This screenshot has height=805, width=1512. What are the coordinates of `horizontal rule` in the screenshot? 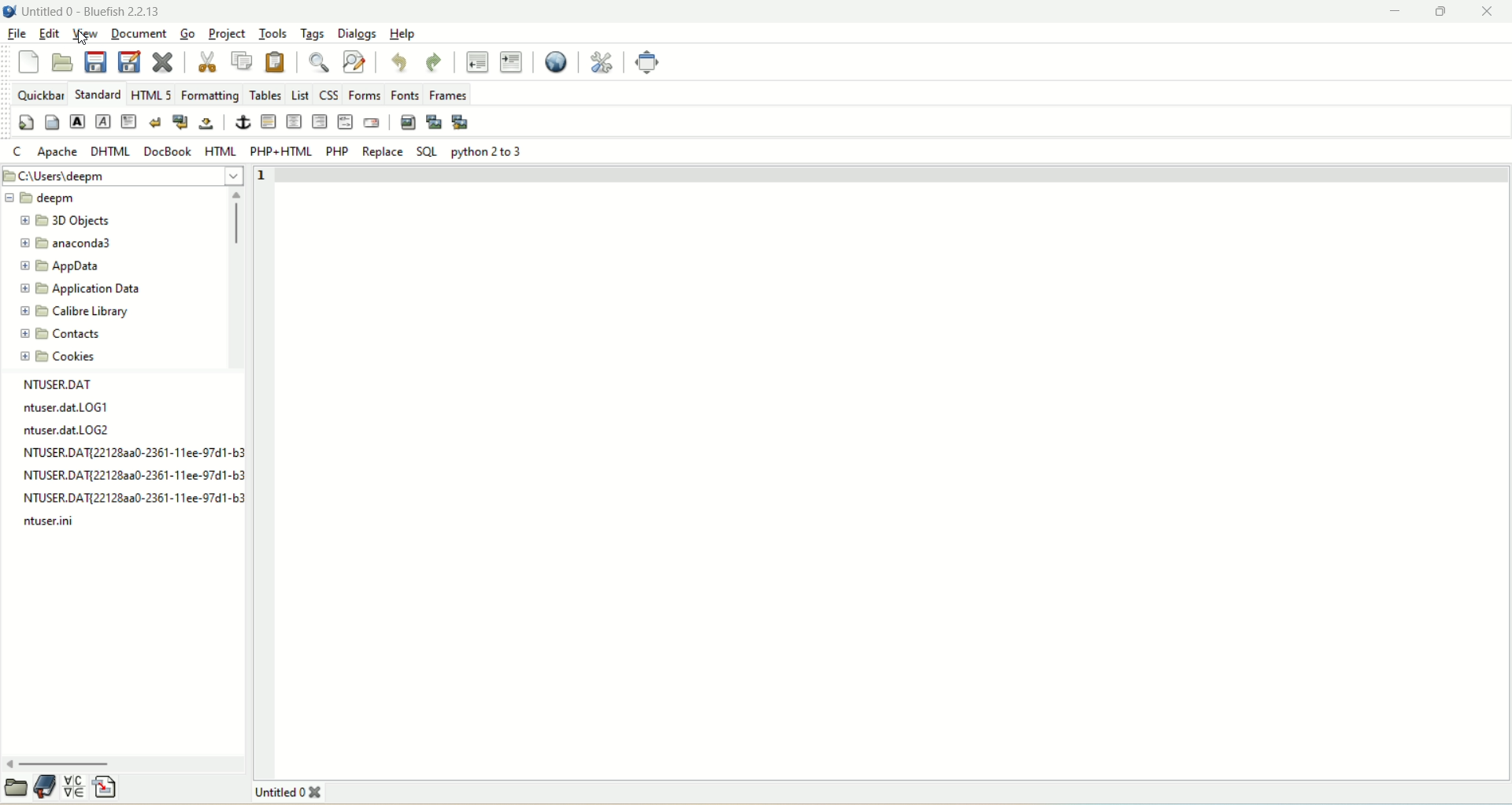 It's located at (269, 122).